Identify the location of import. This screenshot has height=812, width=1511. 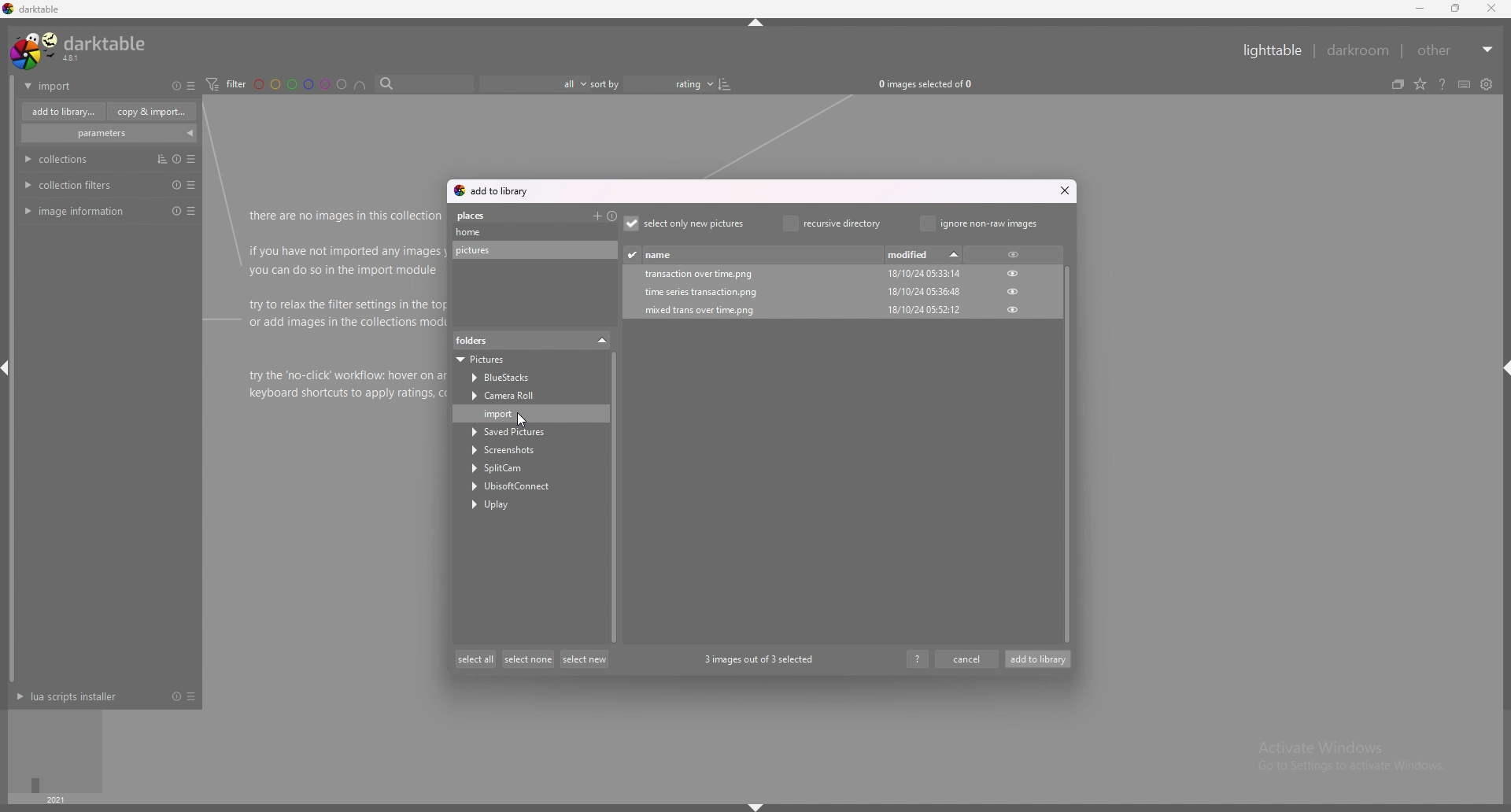
(77, 86).